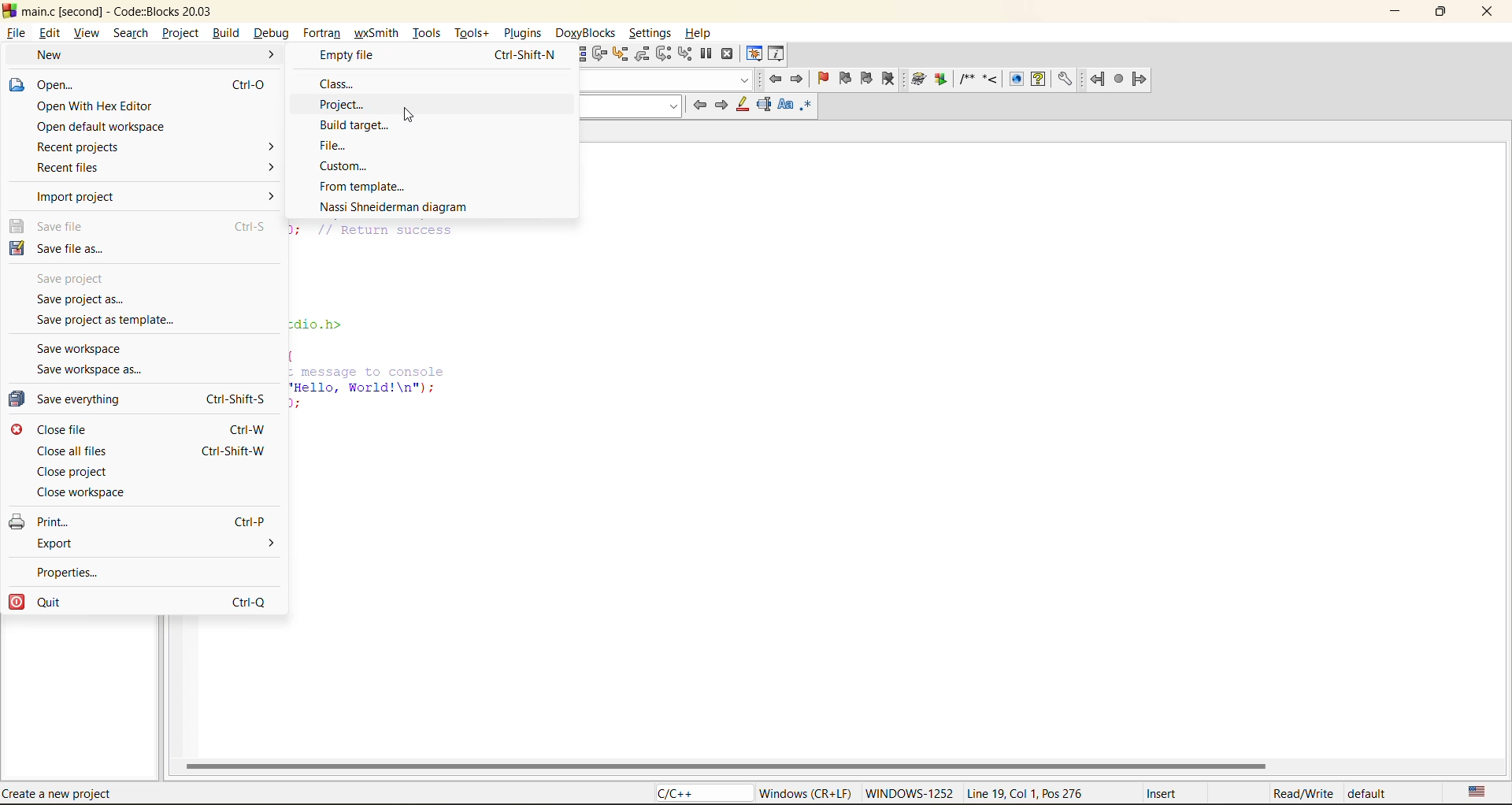 The width and height of the screenshot is (1512, 805). What do you see at coordinates (246, 429) in the screenshot?
I see `Ctrl-W` at bounding box center [246, 429].